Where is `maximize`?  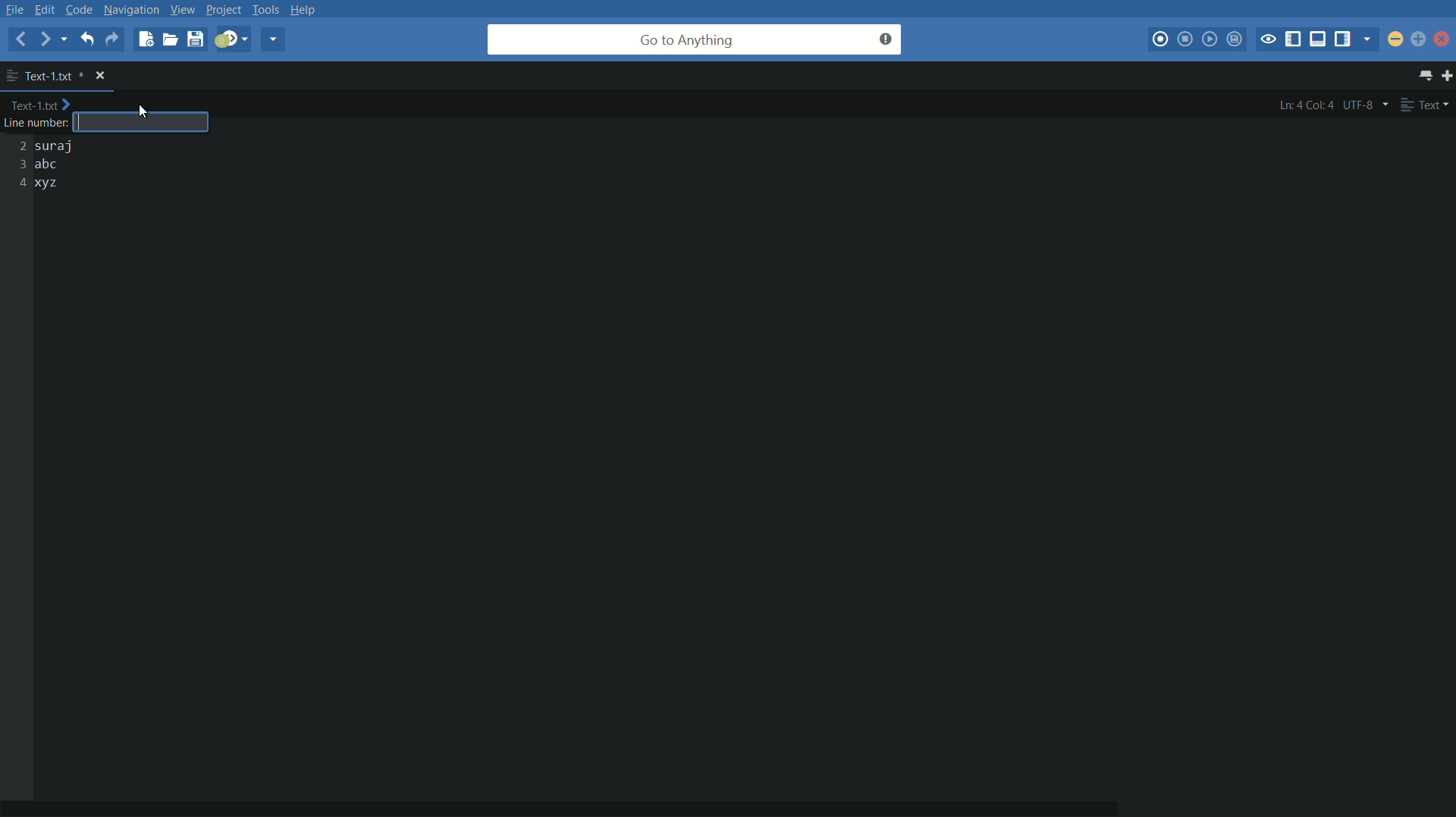 maximize is located at coordinates (1417, 39).